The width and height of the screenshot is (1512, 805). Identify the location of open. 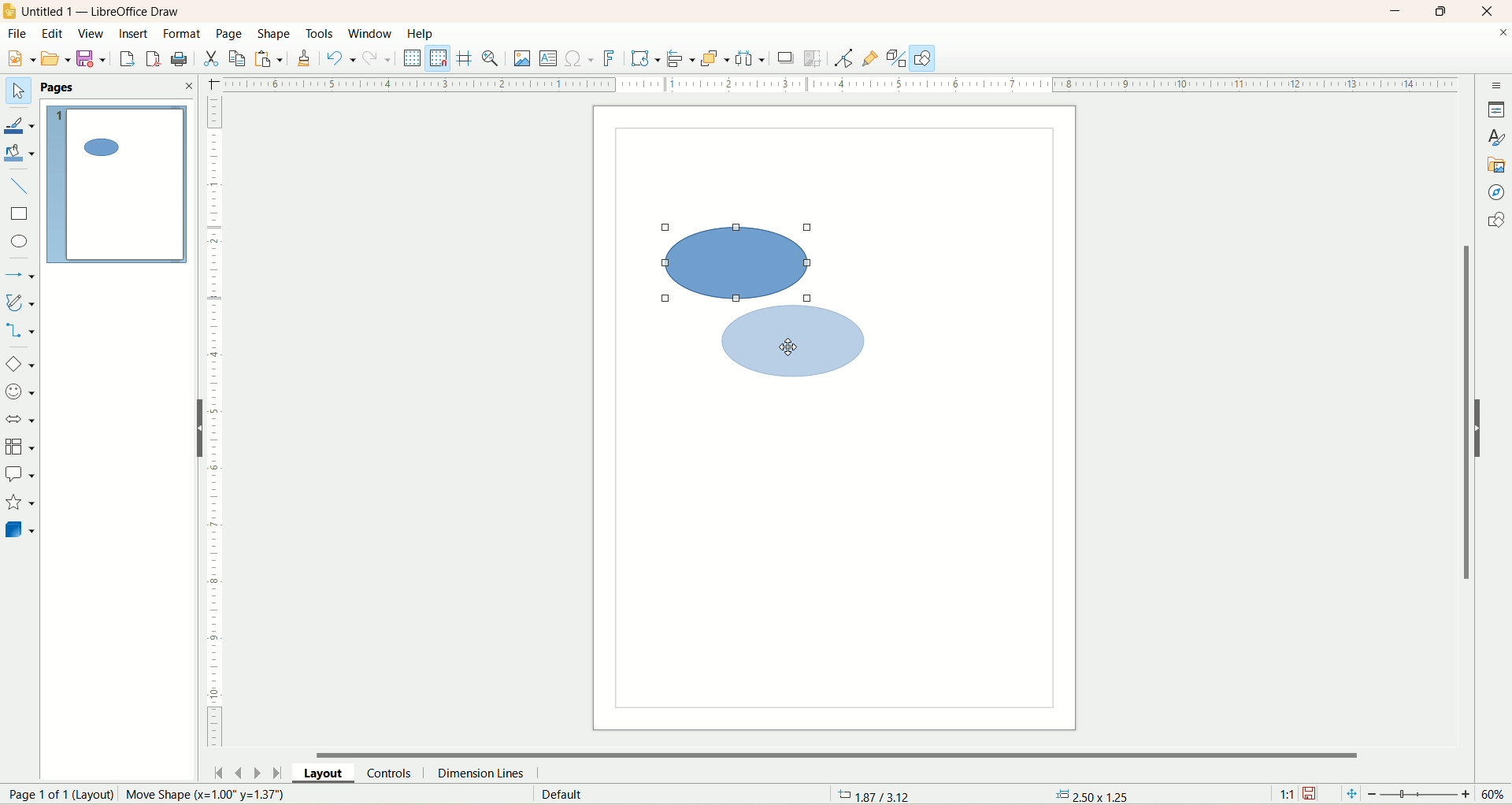
(54, 57).